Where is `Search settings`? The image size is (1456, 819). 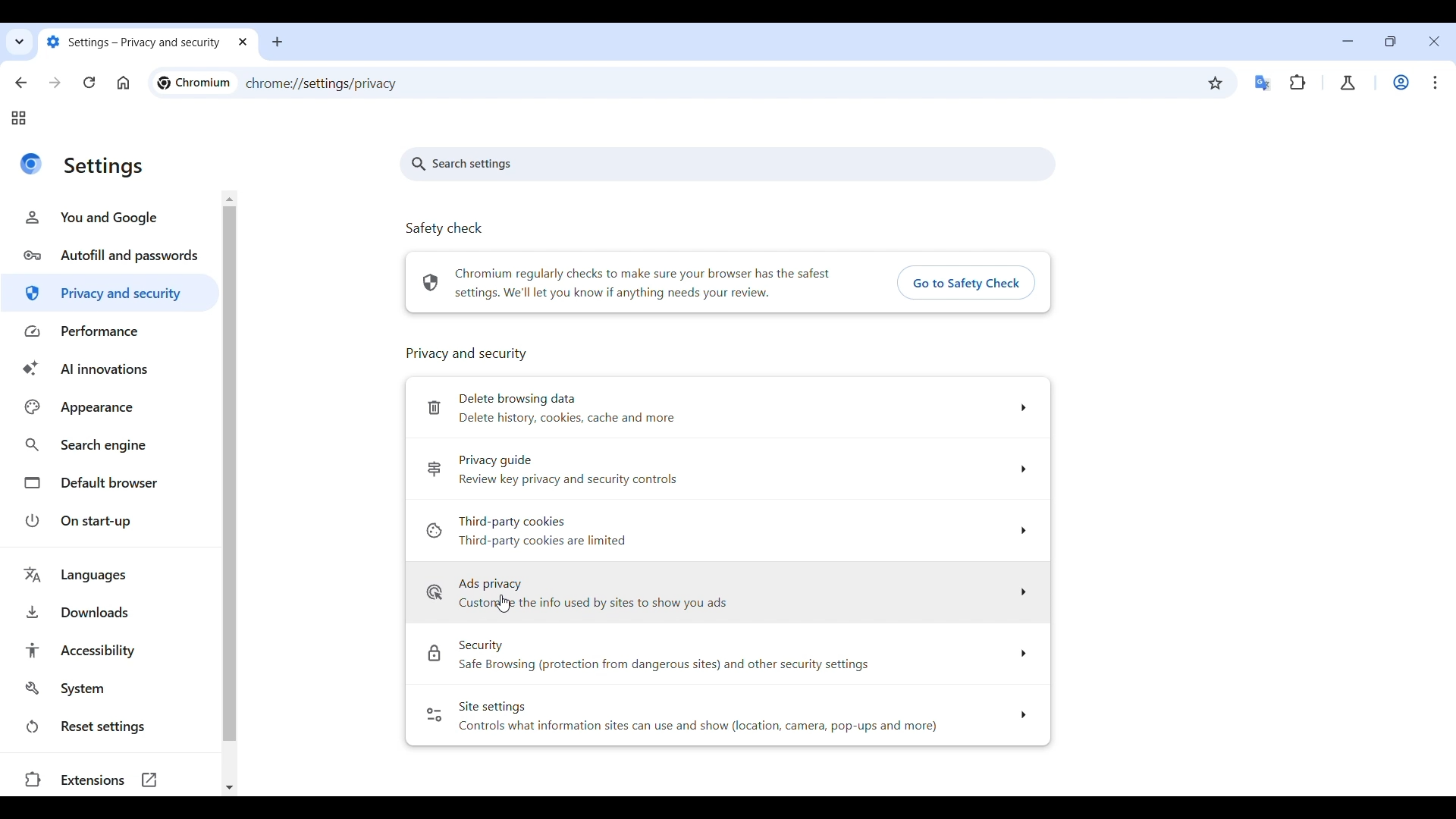
Search settings is located at coordinates (460, 165).